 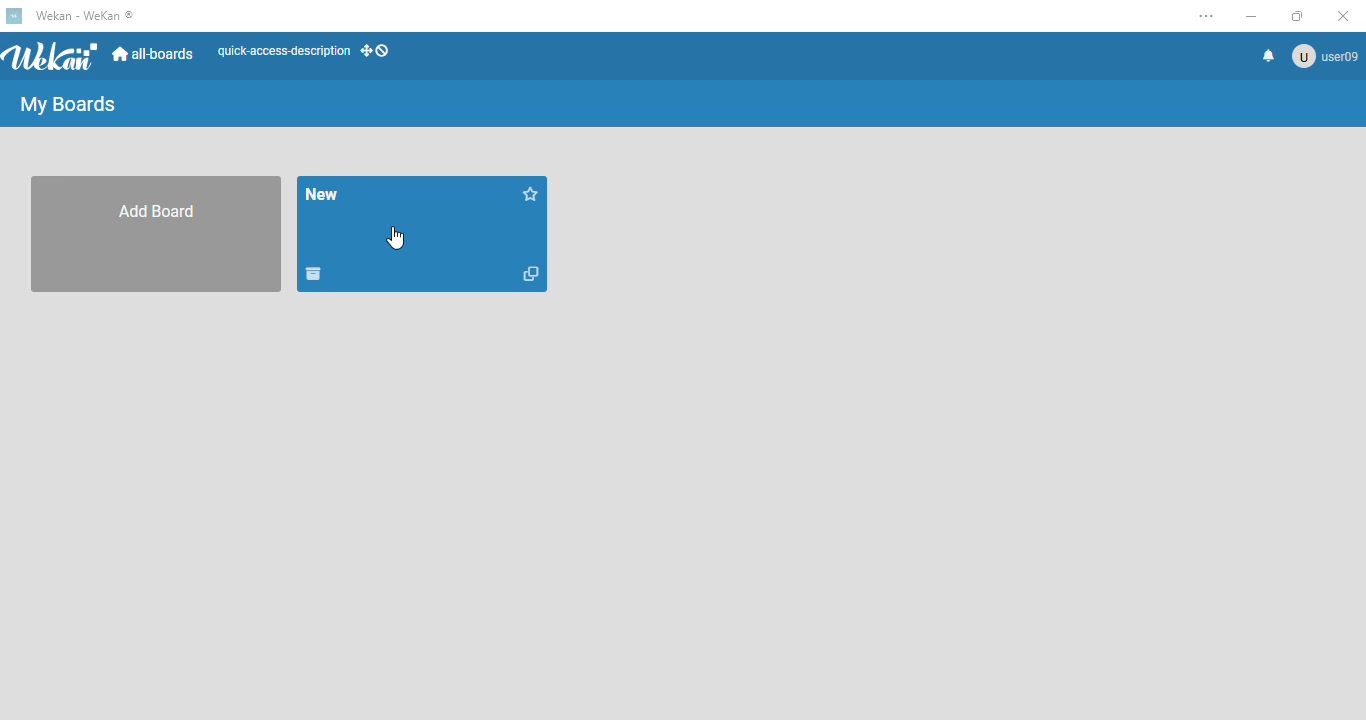 What do you see at coordinates (375, 51) in the screenshot?
I see `show-desktop-drag-handles` at bounding box center [375, 51].